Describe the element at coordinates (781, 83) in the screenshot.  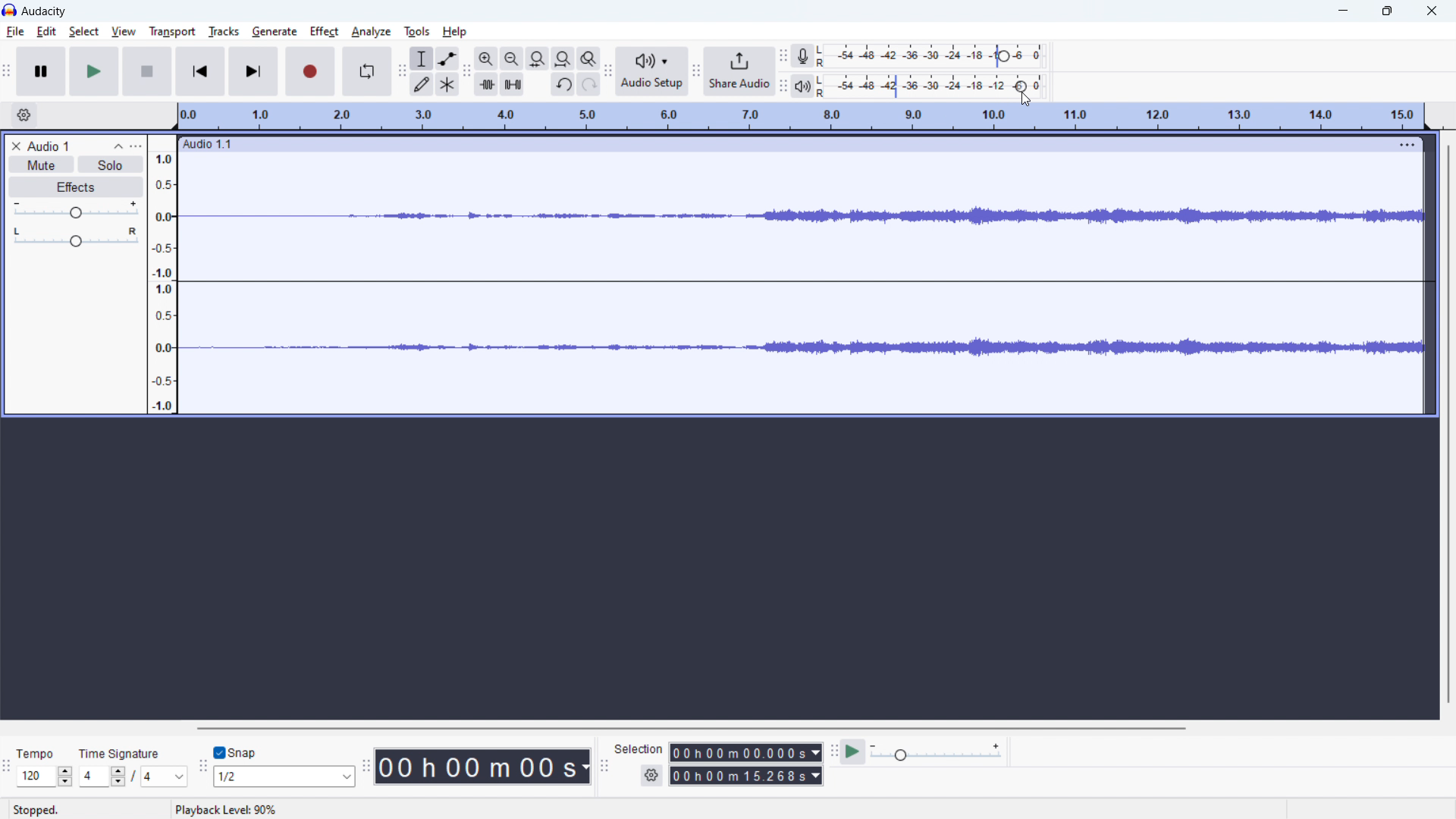
I see `playback meter toolbar` at that location.